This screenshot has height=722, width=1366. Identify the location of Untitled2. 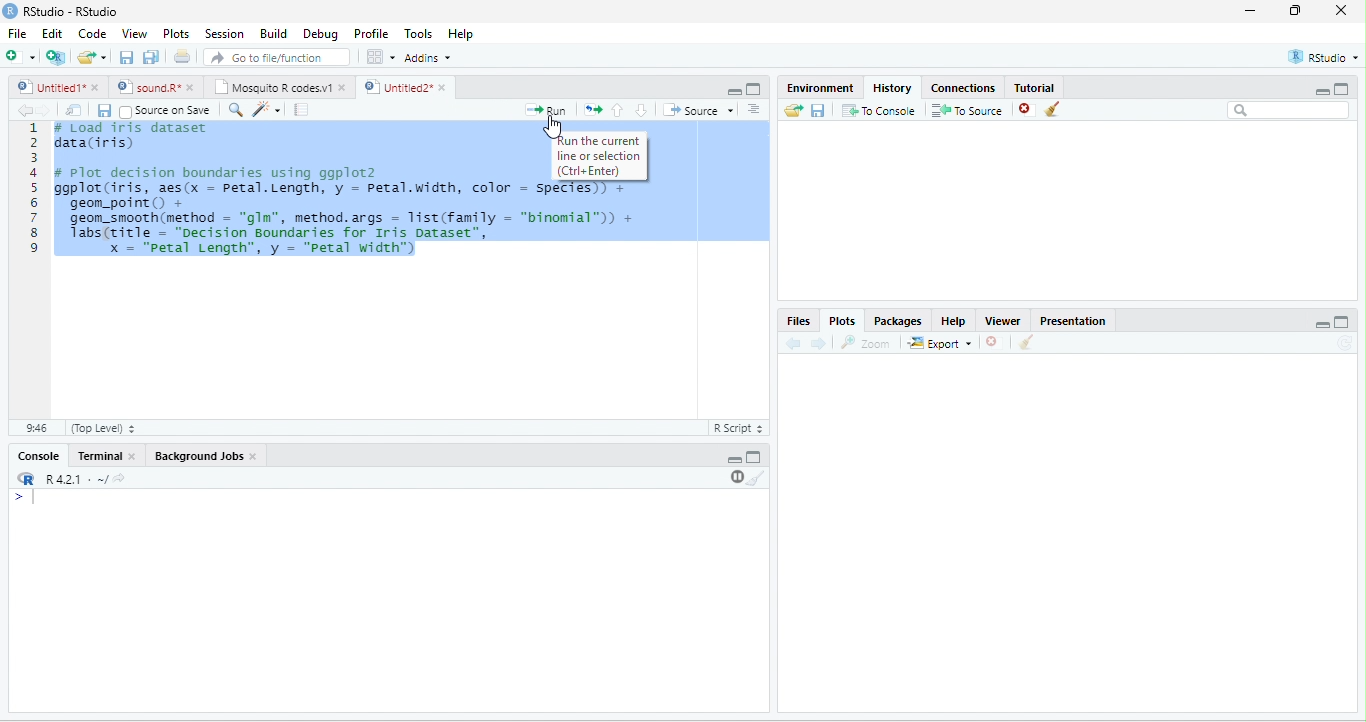
(396, 87).